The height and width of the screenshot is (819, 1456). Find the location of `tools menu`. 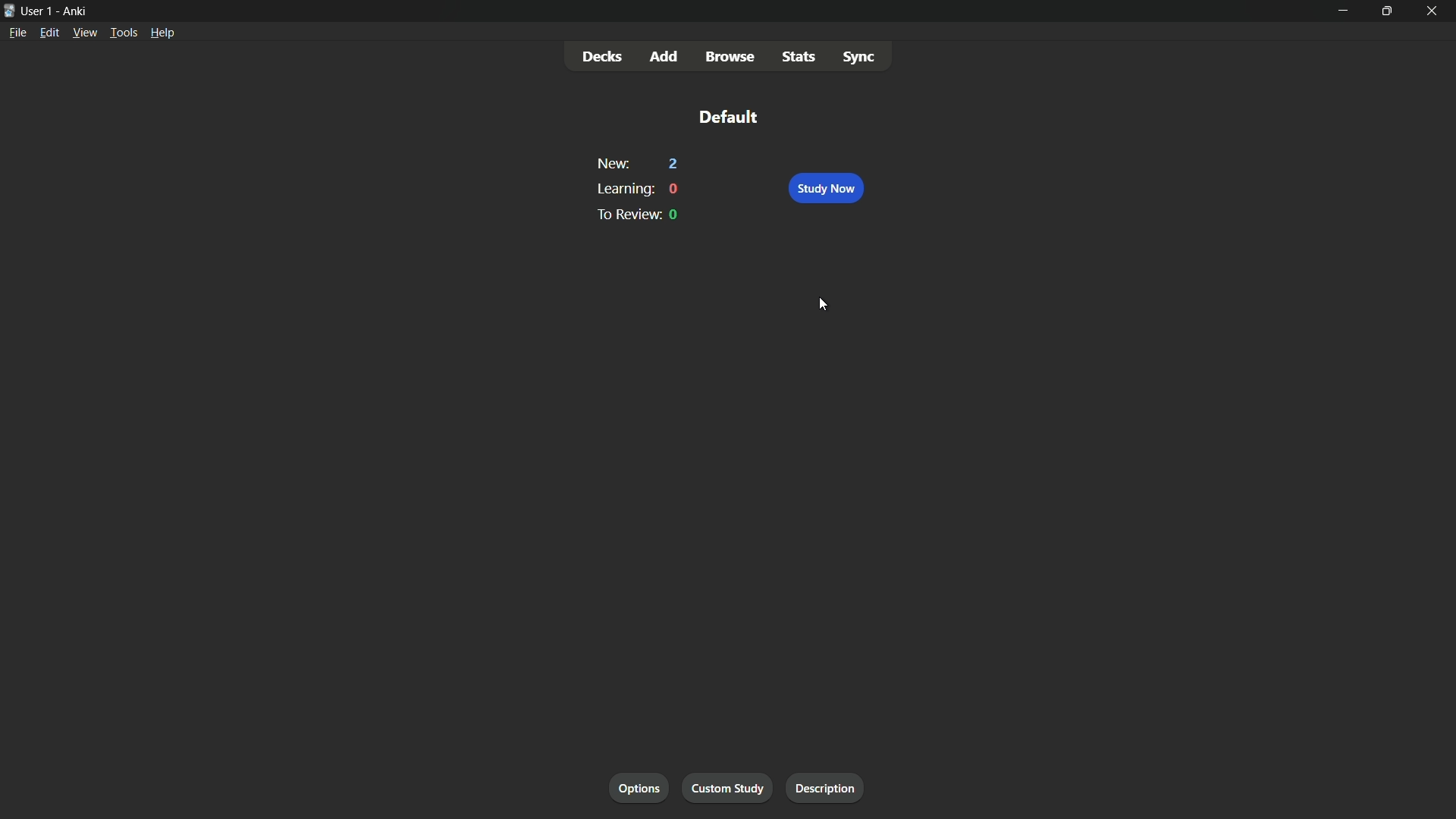

tools menu is located at coordinates (121, 33).